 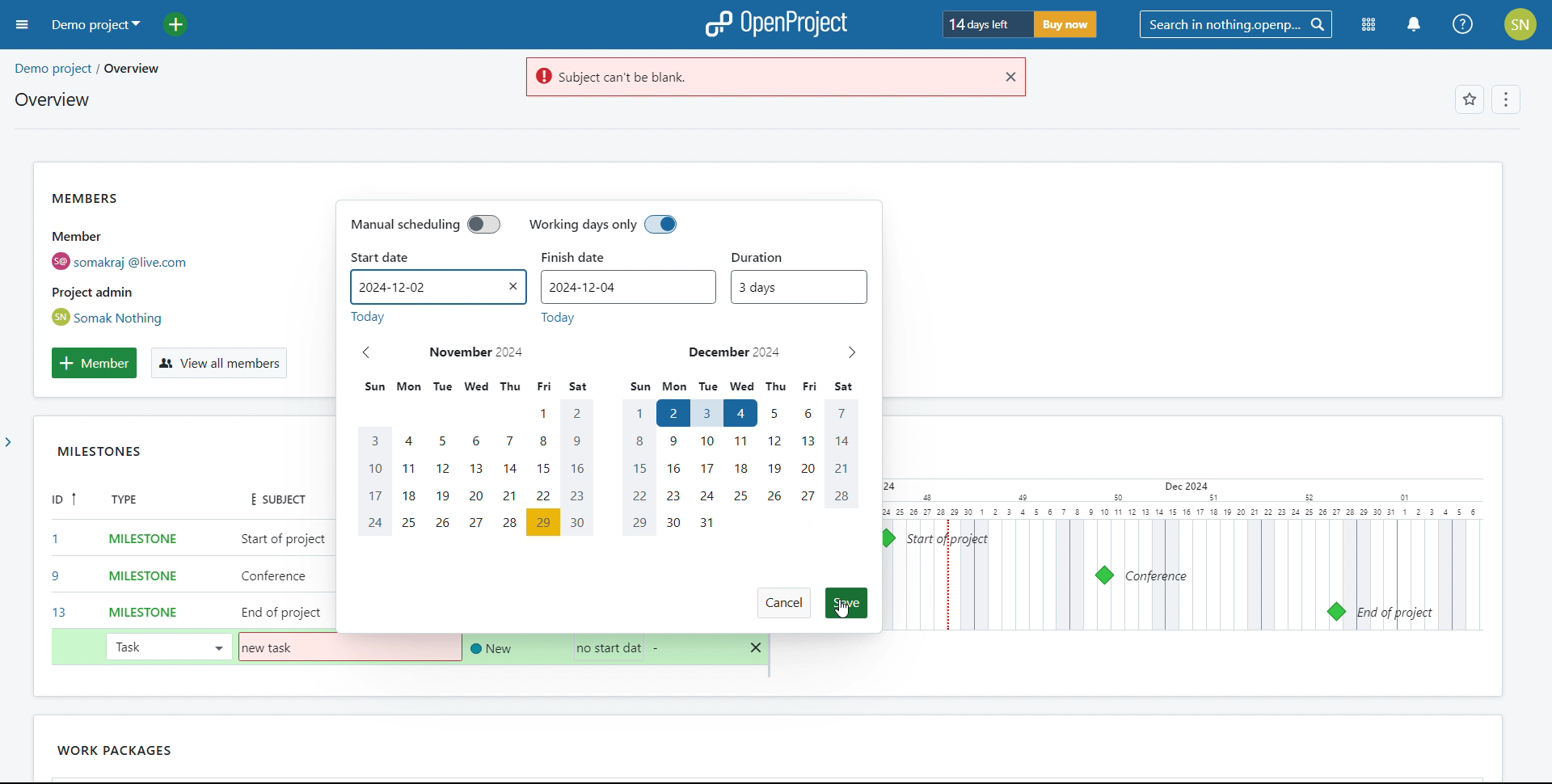 I want to click on modules, so click(x=1369, y=26).